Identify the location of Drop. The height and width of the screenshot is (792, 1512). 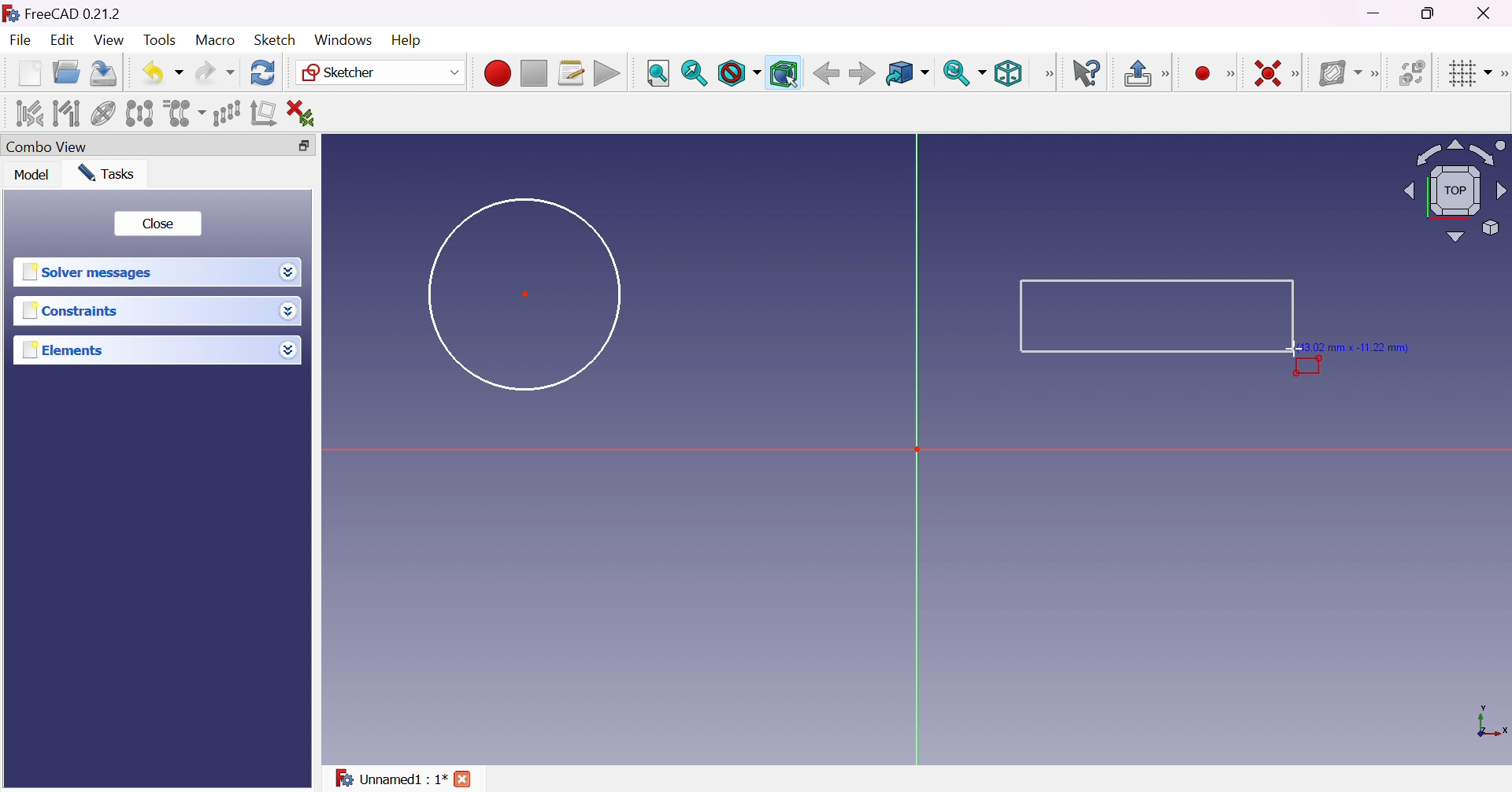
(291, 313).